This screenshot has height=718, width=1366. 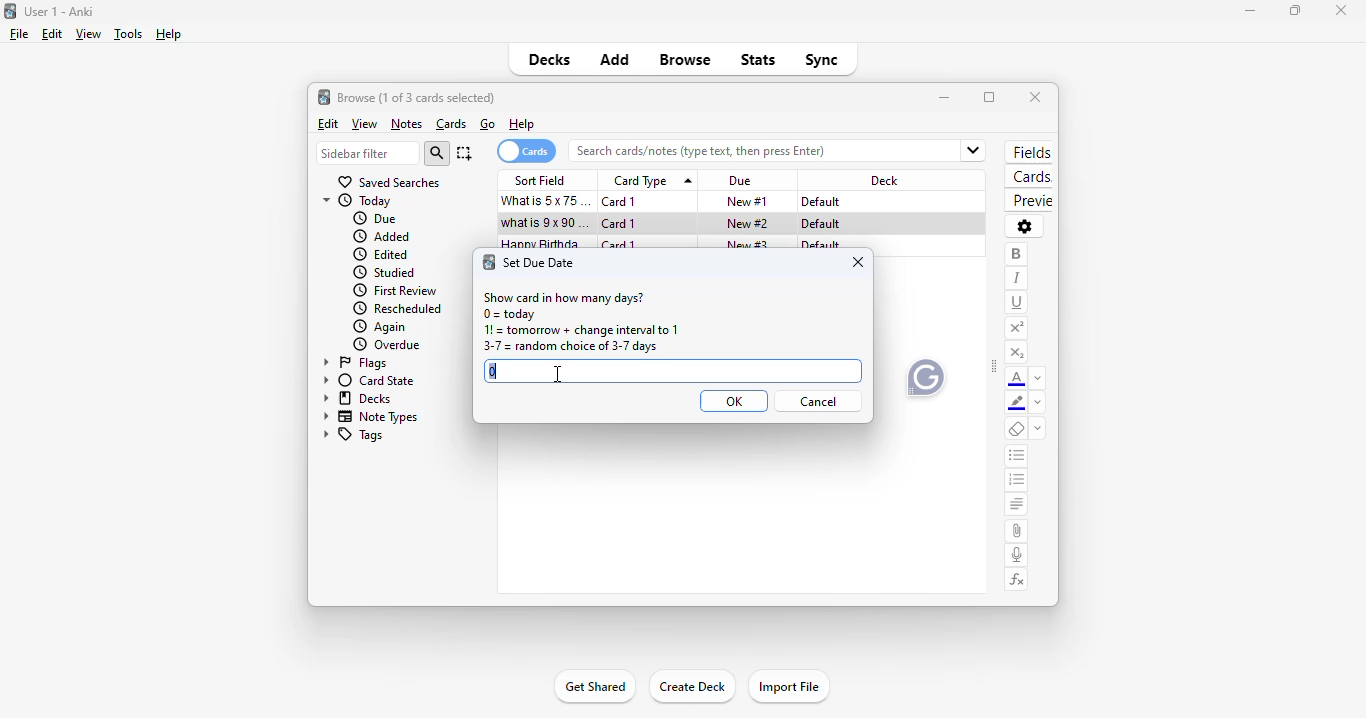 I want to click on get shared, so click(x=596, y=686).